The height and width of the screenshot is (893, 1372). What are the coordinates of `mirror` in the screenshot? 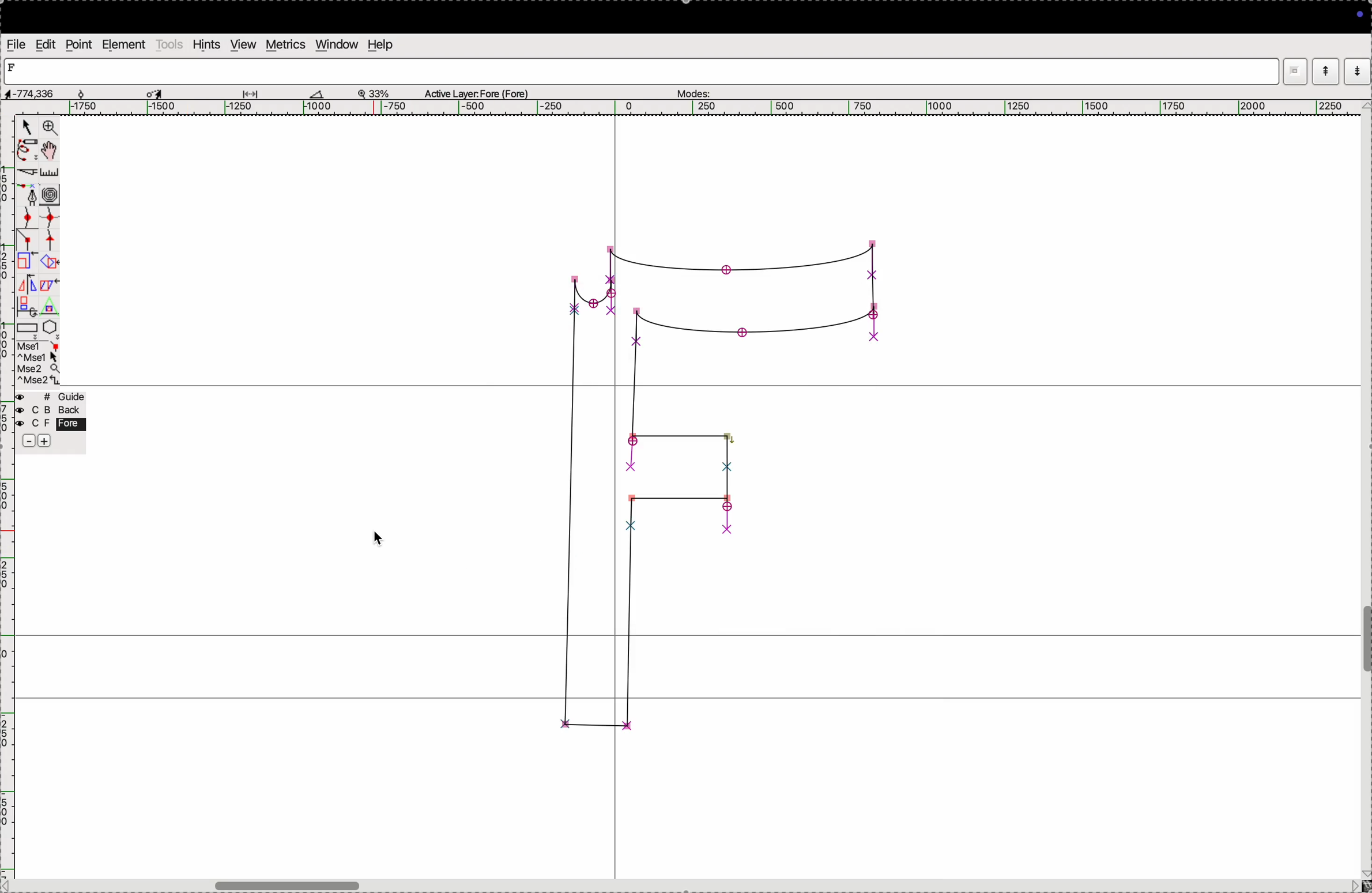 It's located at (37, 286).